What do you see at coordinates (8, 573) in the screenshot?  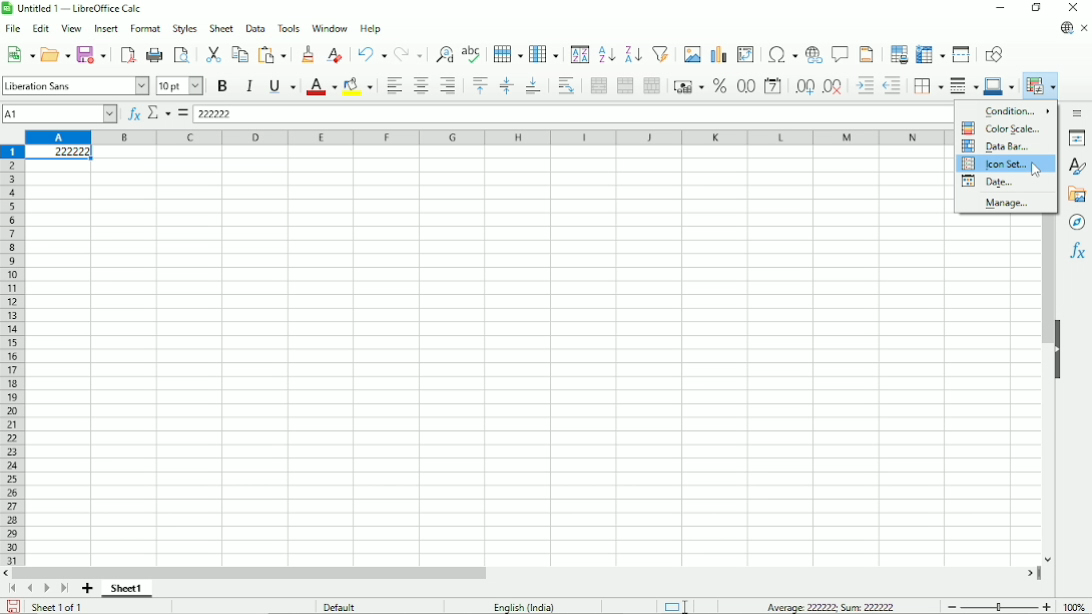 I see `scroll left` at bounding box center [8, 573].